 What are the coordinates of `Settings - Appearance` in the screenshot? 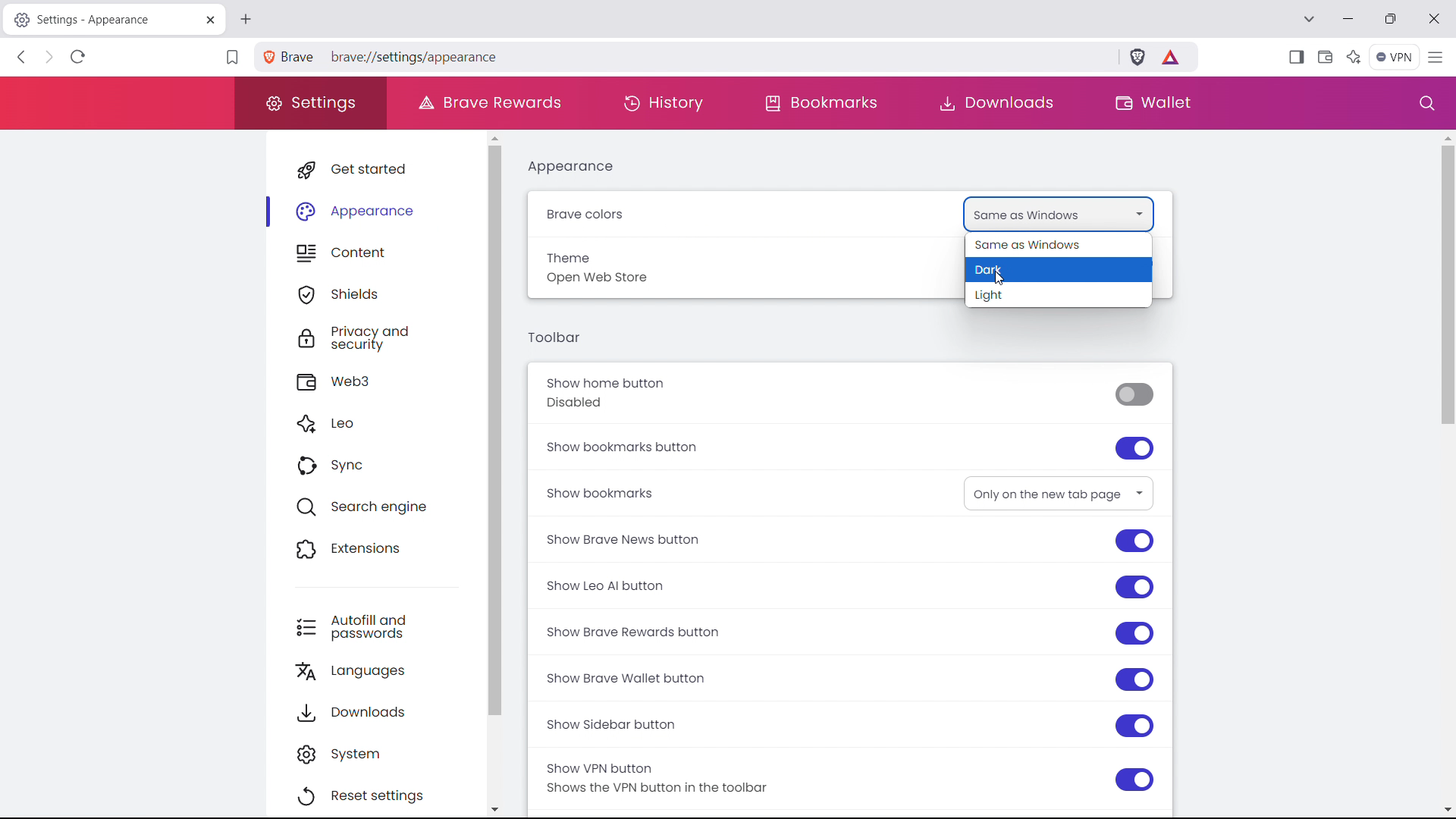 It's located at (101, 20).